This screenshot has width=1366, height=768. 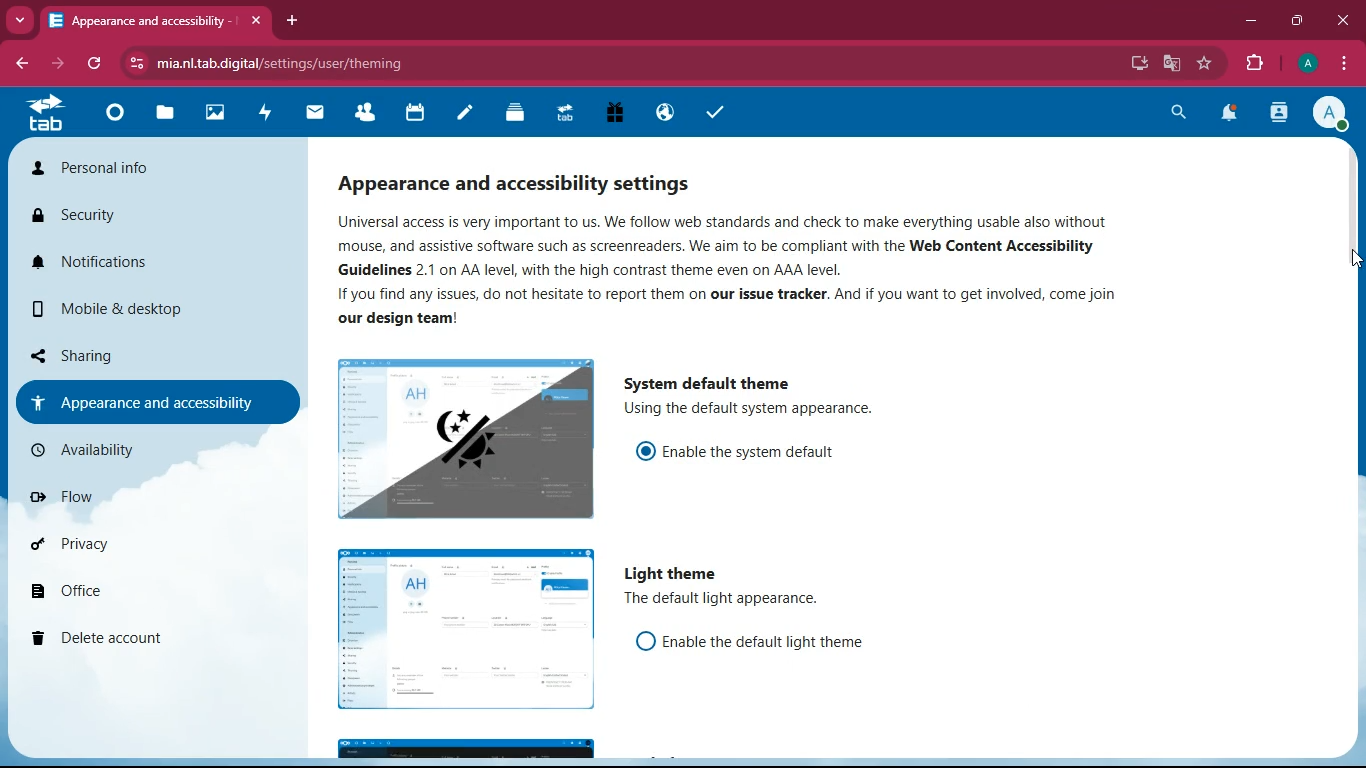 I want to click on light theme, so click(x=680, y=573).